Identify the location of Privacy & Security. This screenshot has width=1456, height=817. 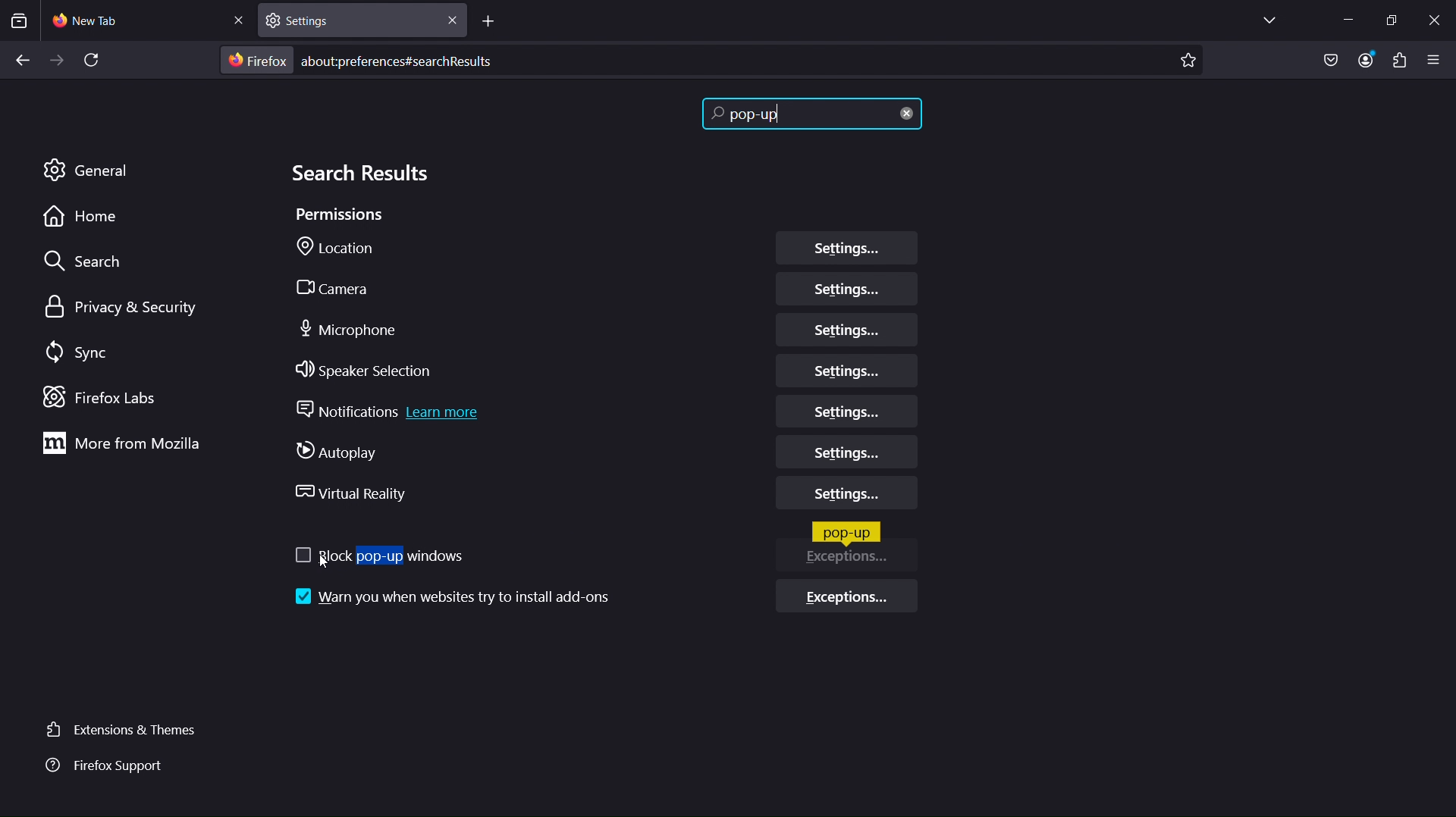
(124, 305).